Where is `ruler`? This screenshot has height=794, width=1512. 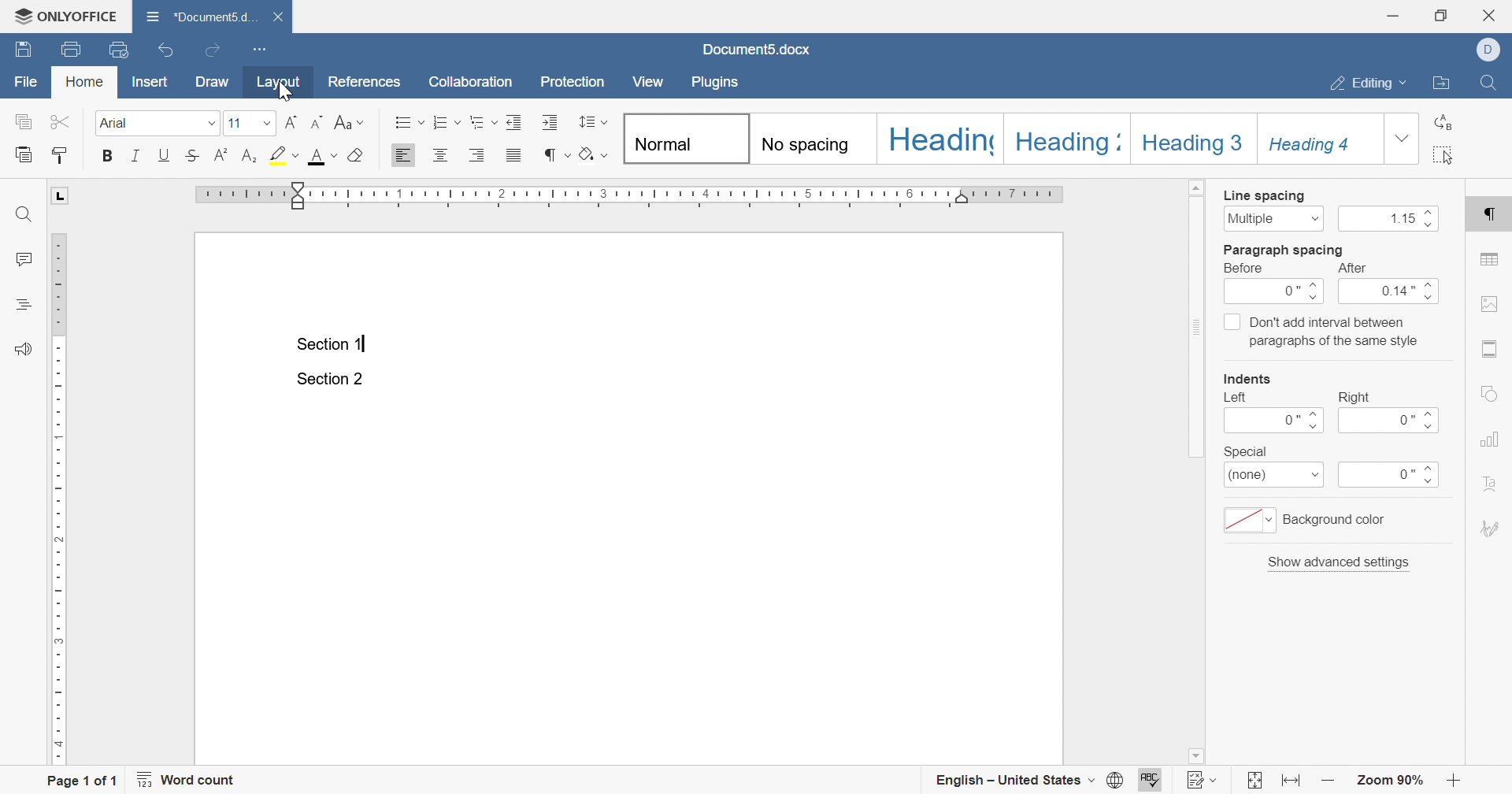
ruler is located at coordinates (60, 499).